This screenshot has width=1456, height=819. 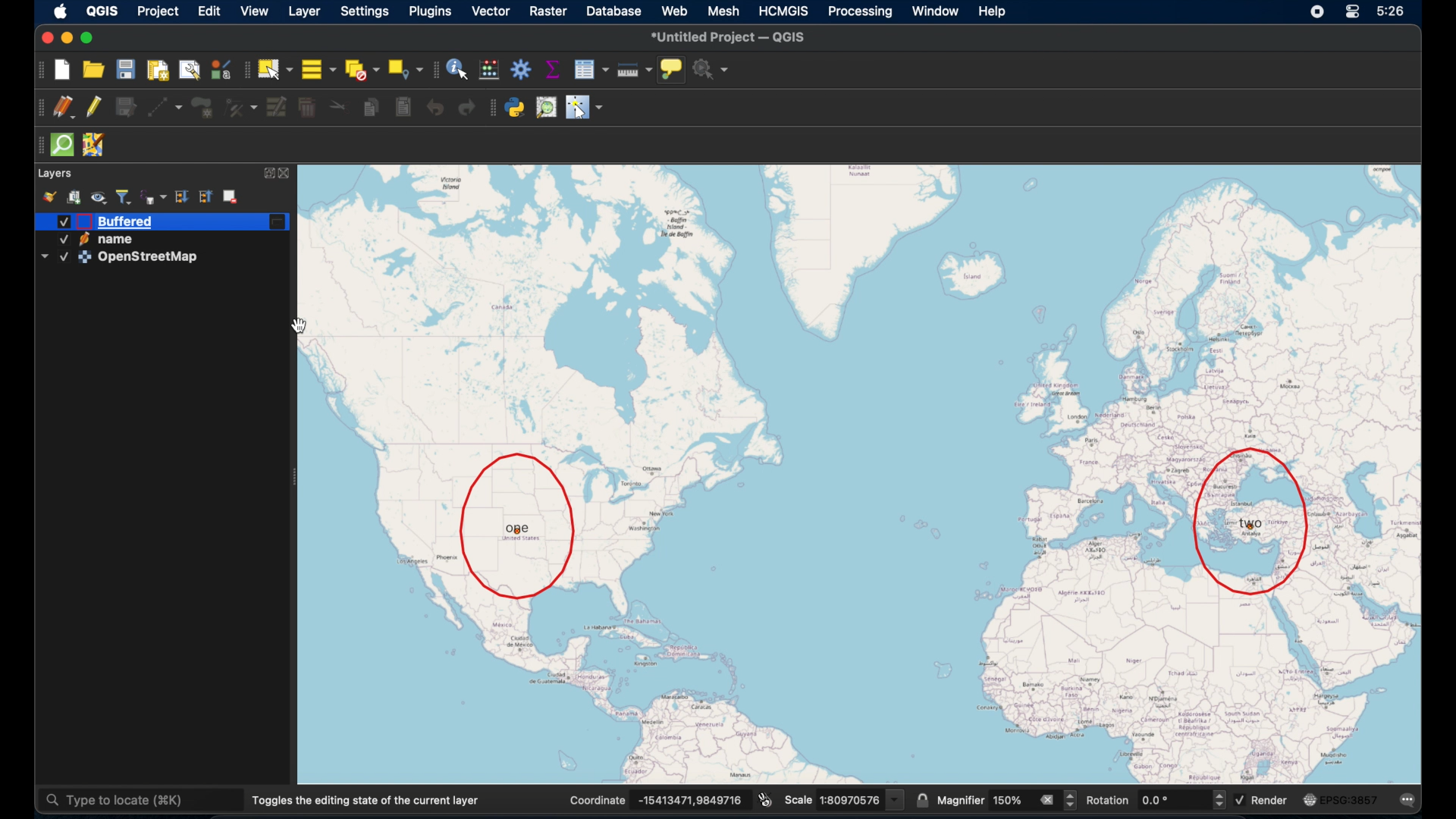 What do you see at coordinates (55, 171) in the screenshot?
I see `layers` at bounding box center [55, 171].